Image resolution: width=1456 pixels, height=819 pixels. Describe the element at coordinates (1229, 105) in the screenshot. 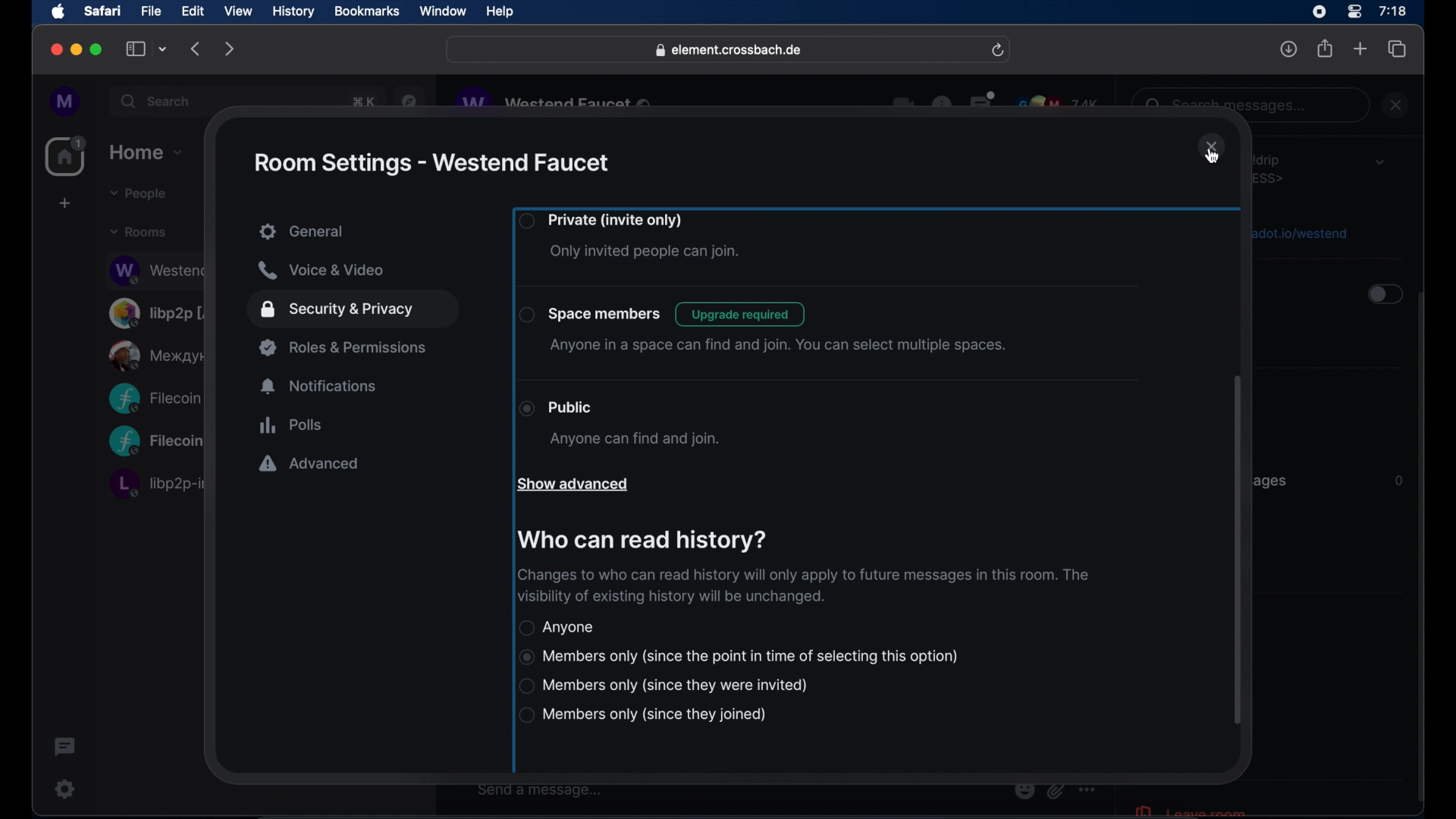

I see `obscure text` at that location.